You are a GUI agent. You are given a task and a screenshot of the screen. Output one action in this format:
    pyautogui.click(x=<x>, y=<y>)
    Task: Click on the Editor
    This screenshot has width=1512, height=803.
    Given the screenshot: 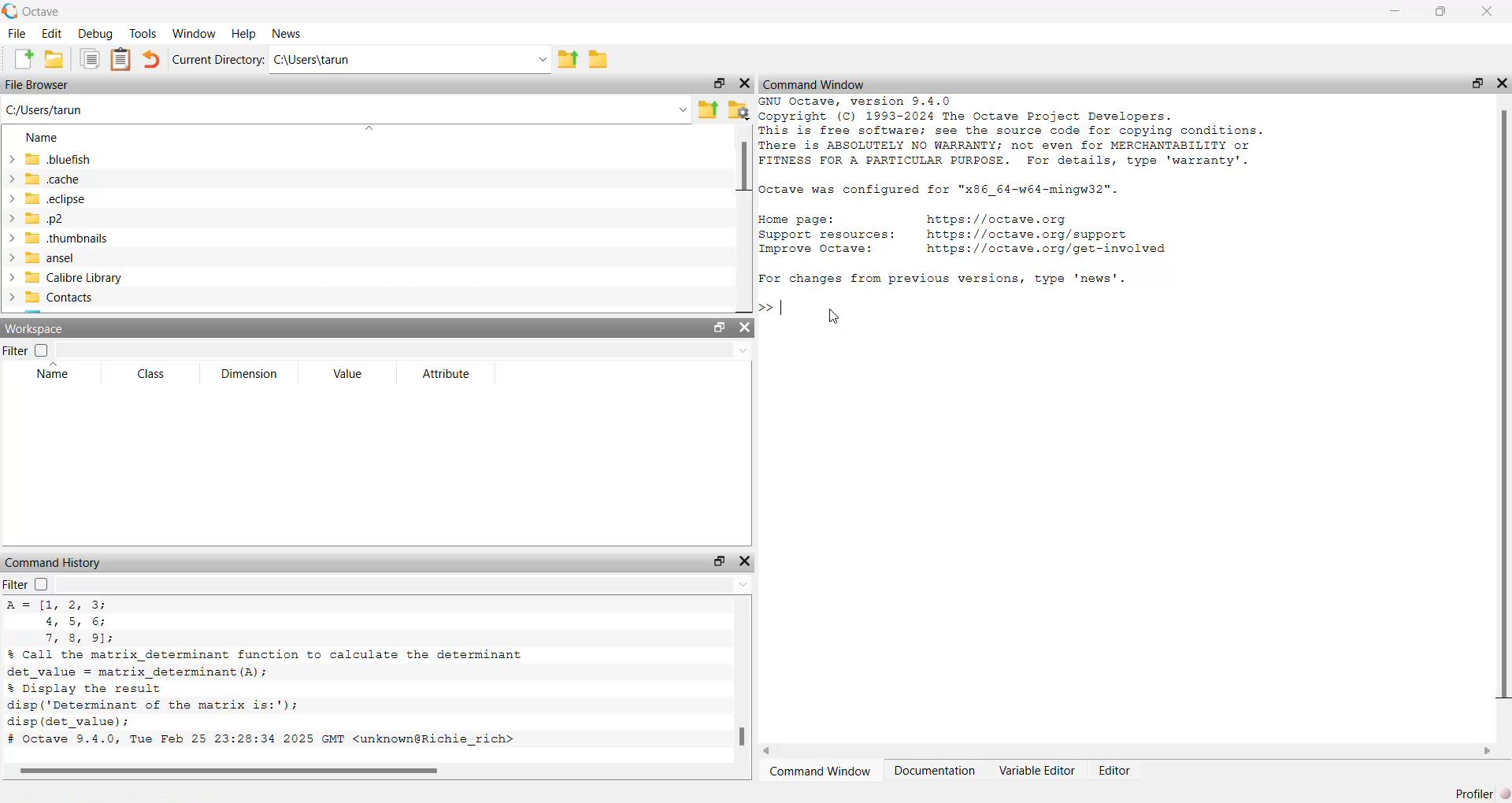 What is the action you would take?
    pyautogui.click(x=1117, y=770)
    